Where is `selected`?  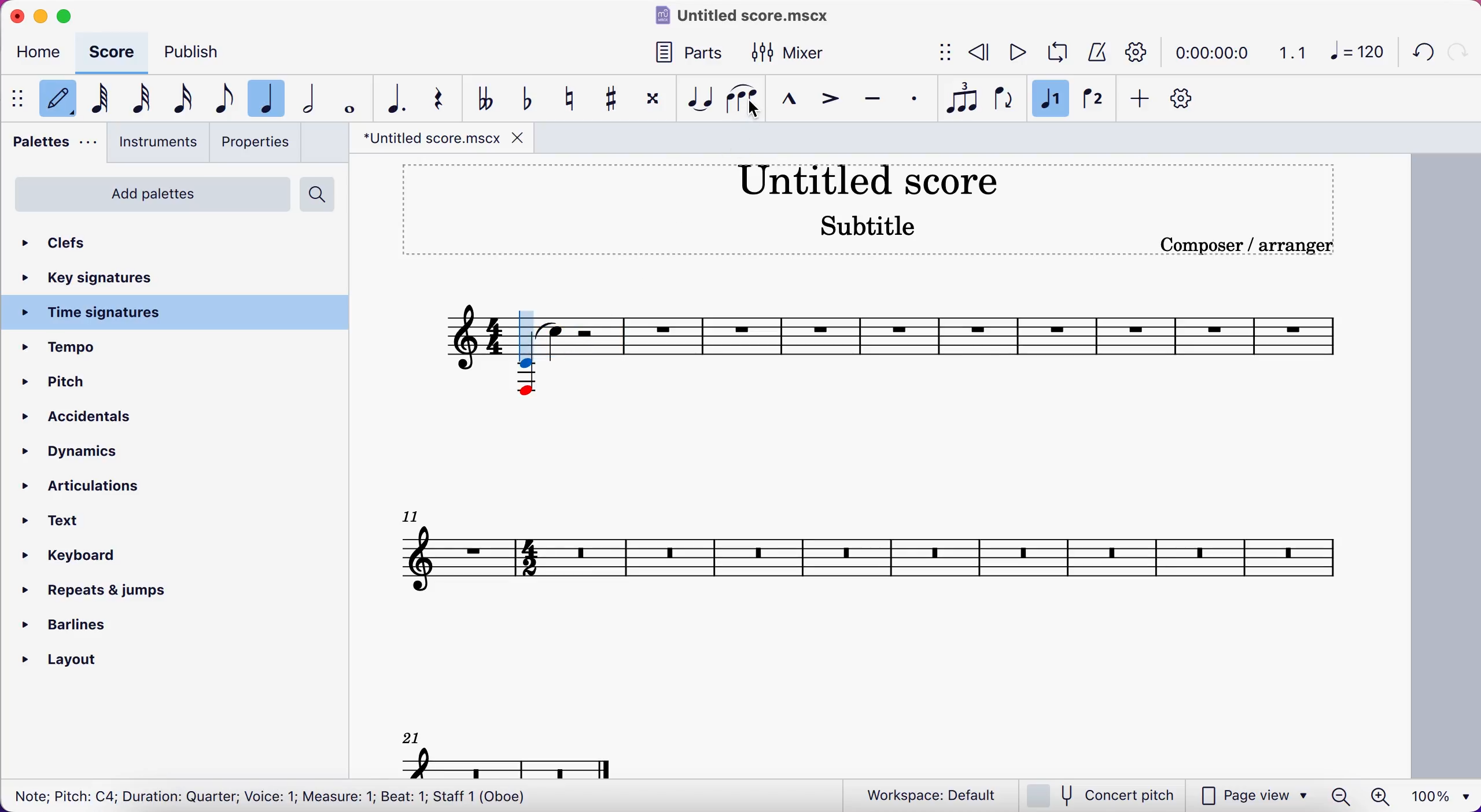 selected is located at coordinates (271, 98).